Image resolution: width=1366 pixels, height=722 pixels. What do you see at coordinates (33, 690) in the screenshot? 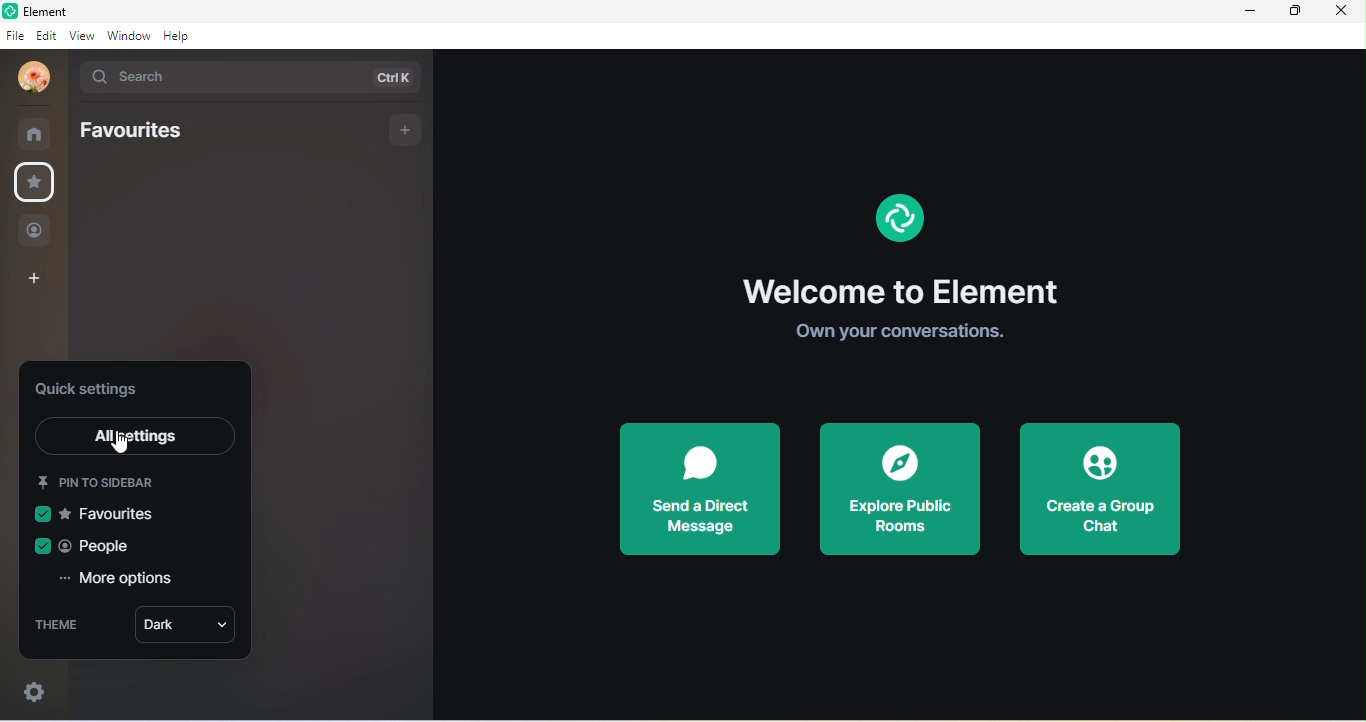
I see `settings` at bounding box center [33, 690].